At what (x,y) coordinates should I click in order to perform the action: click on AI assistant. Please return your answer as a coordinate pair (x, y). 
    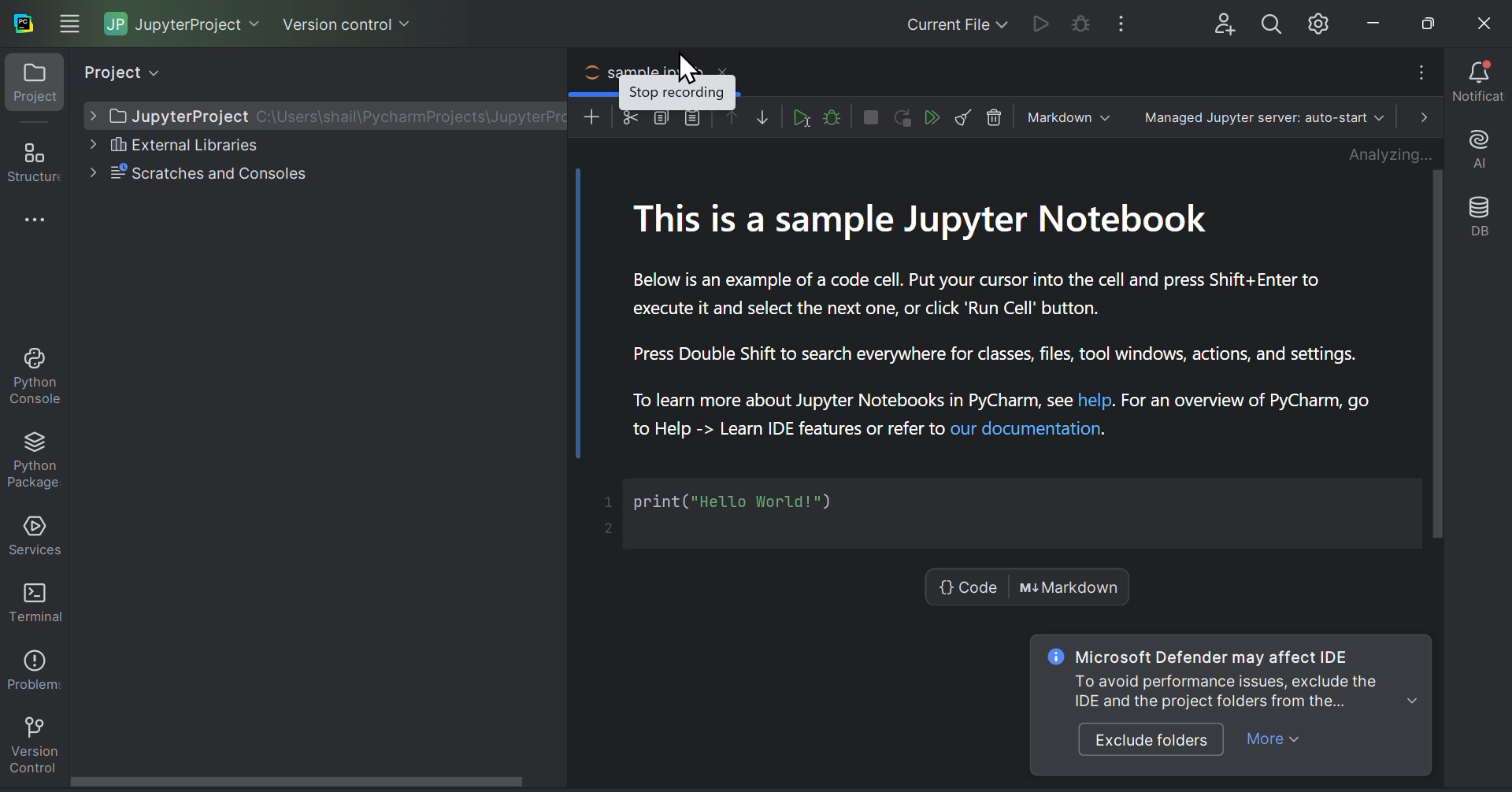
    Looking at the image, I should click on (1480, 147).